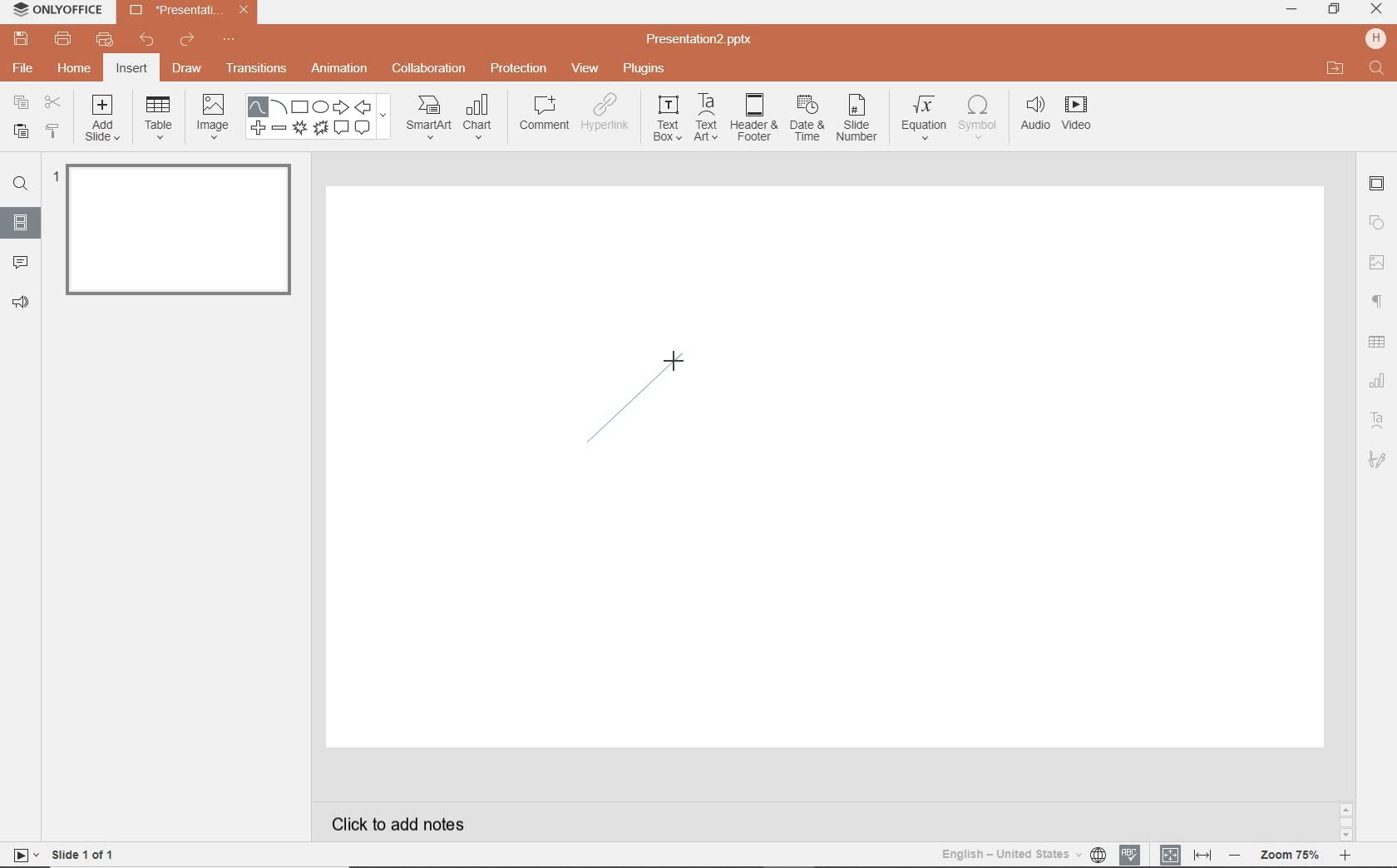 The width and height of the screenshot is (1397, 868). Describe the element at coordinates (1291, 10) in the screenshot. I see `MINIMIZE` at that location.